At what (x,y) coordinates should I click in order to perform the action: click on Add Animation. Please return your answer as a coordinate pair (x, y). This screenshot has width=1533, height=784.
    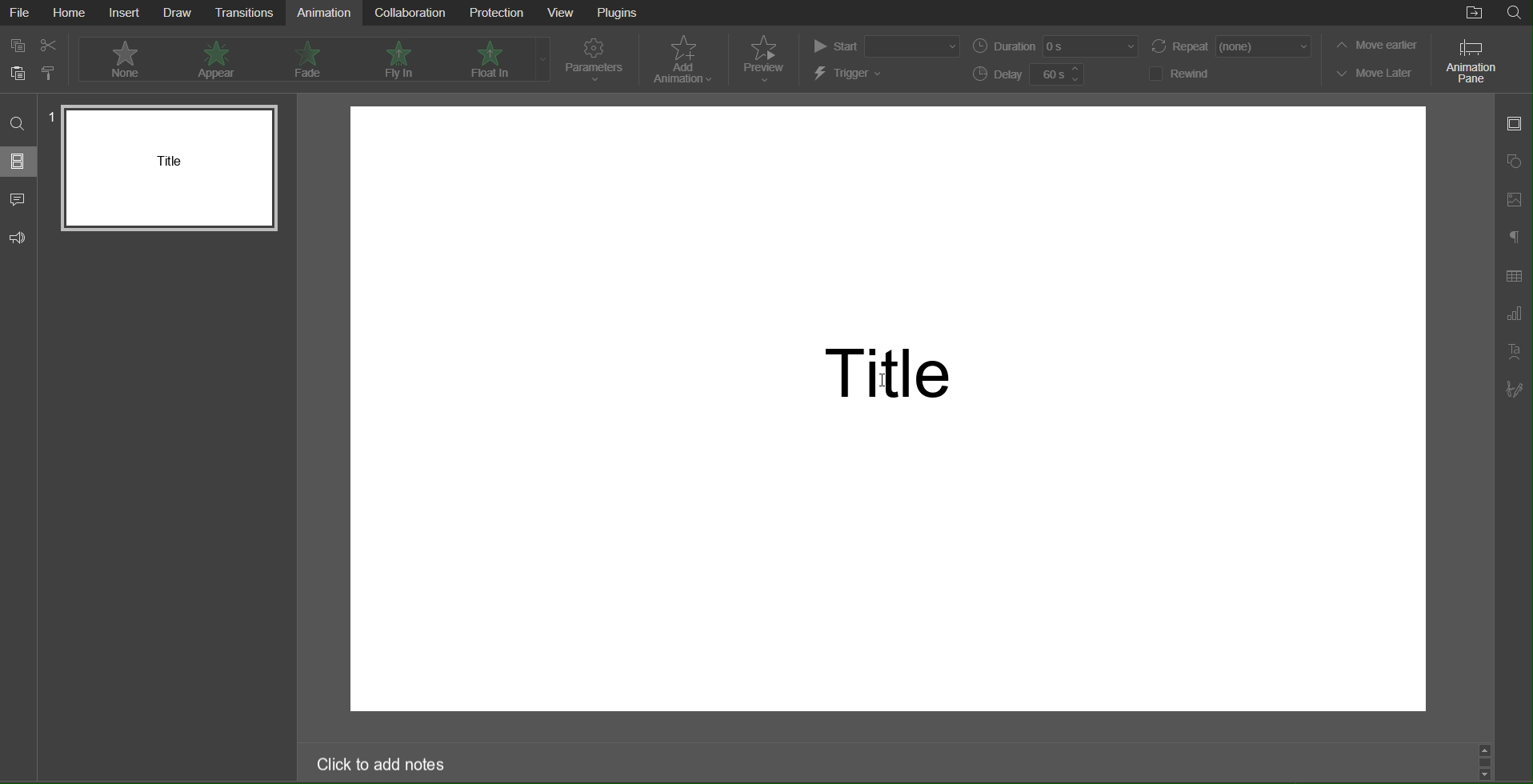
    Looking at the image, I should click on (682, 59).